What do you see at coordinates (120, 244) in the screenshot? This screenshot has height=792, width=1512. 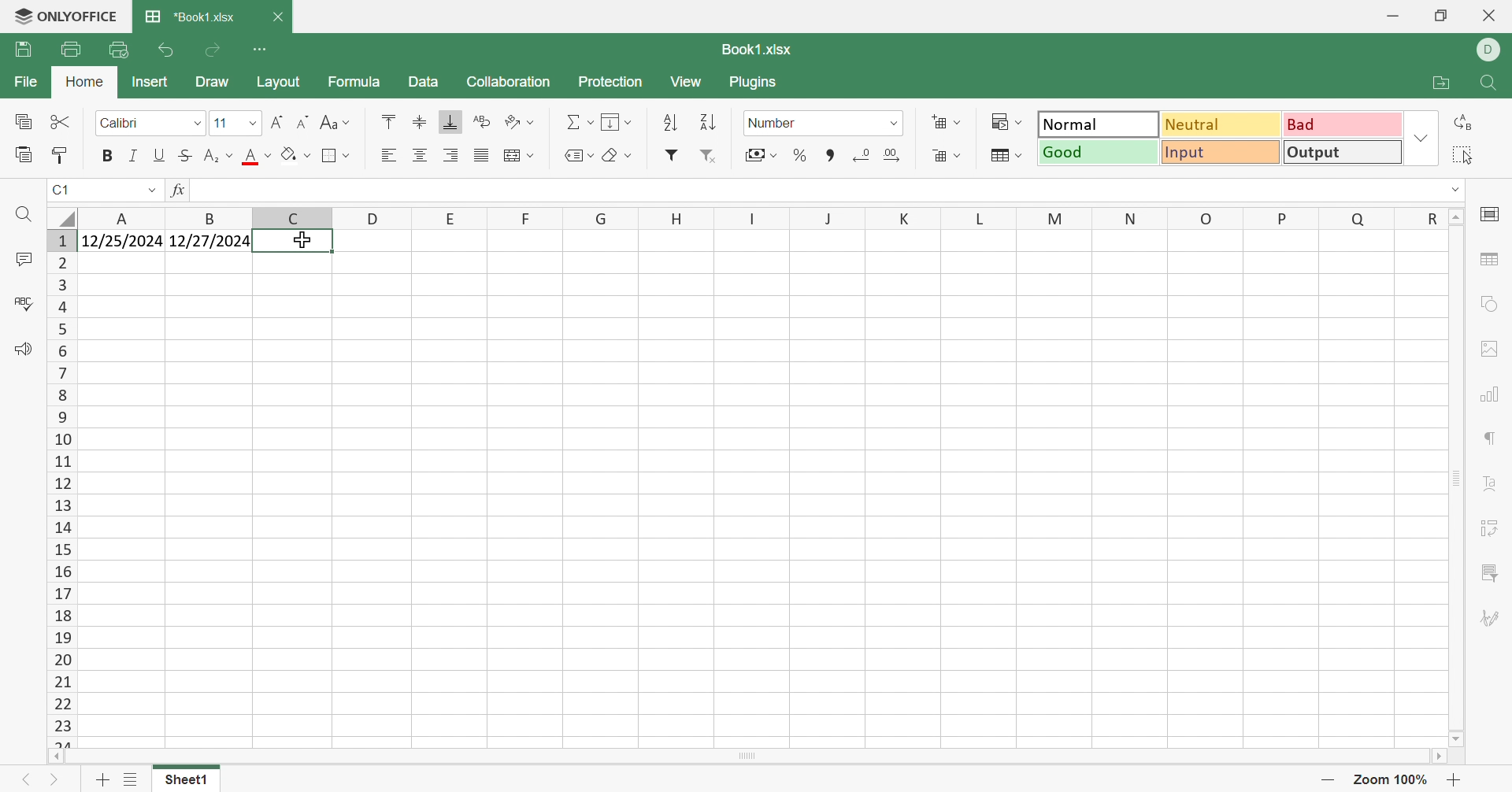 I see `12/25/2024` at bounding box center [120, 244].